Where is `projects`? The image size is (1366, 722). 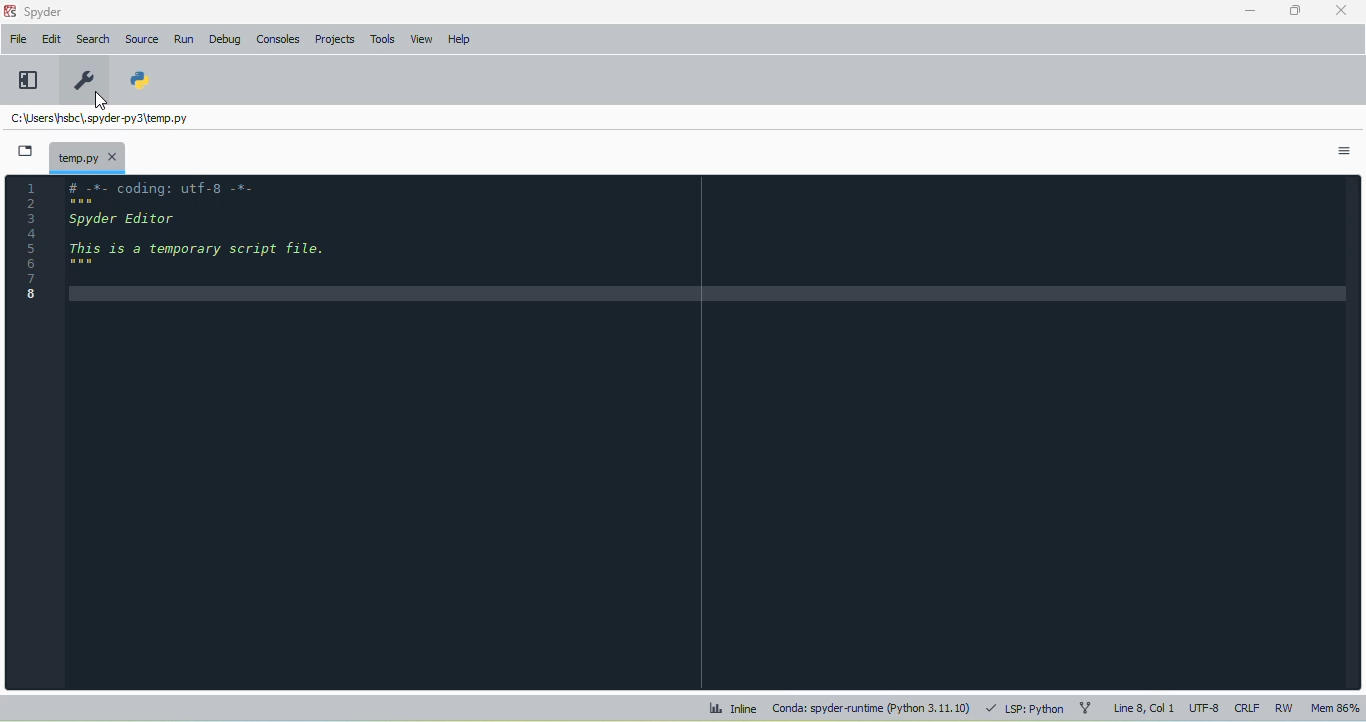 projects is located at coordinates (335, 40).